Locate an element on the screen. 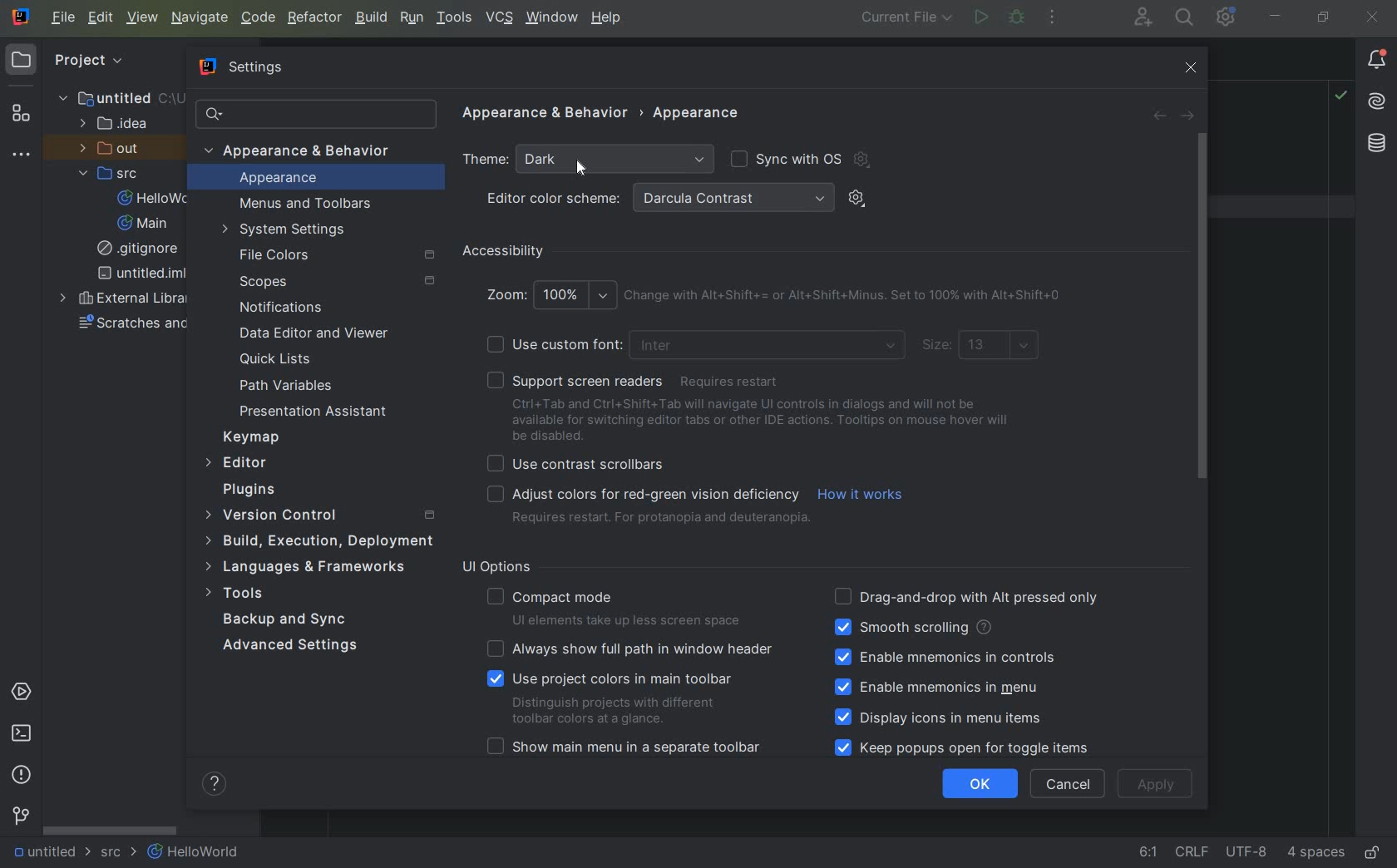 The height and width of the screenshot is (868, 1397). keep popups open for toggle items(checked) is located at coordinates (966, 747).